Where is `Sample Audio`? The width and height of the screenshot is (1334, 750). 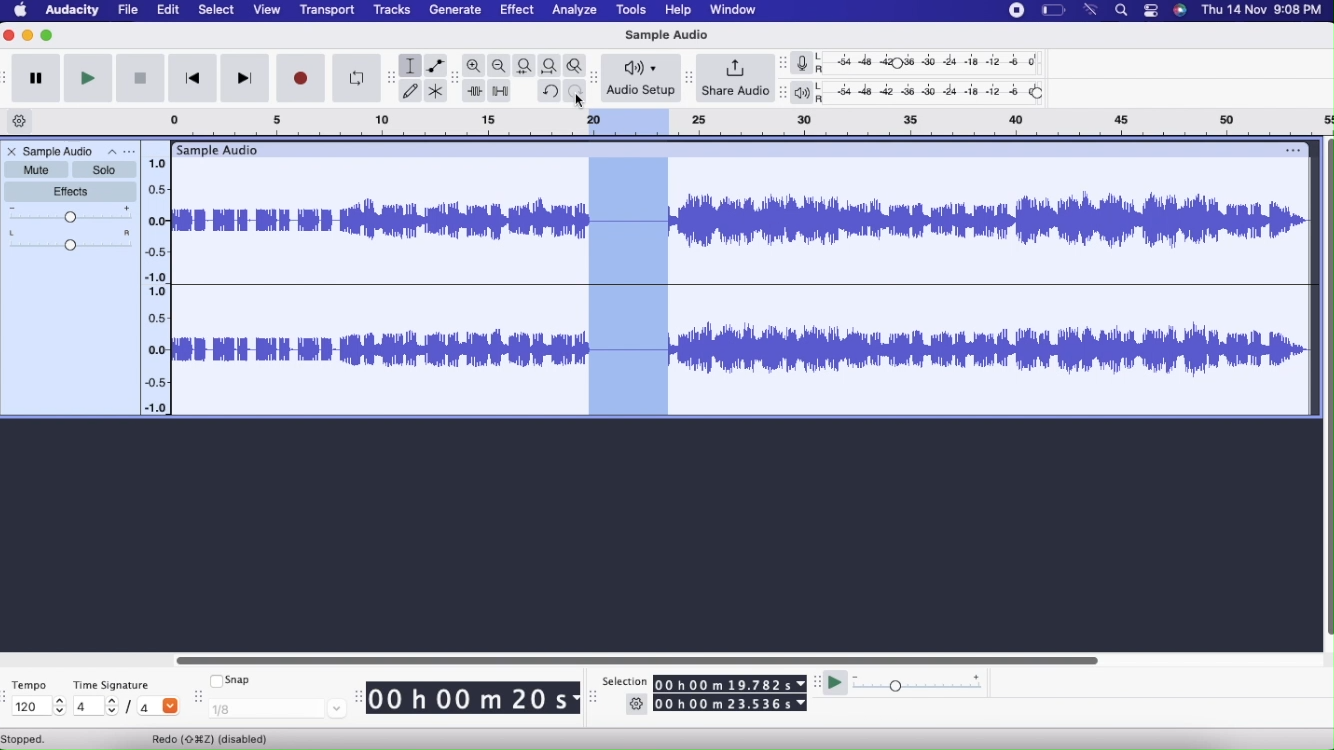 Sample Audio is located at coordinates (60, 152).